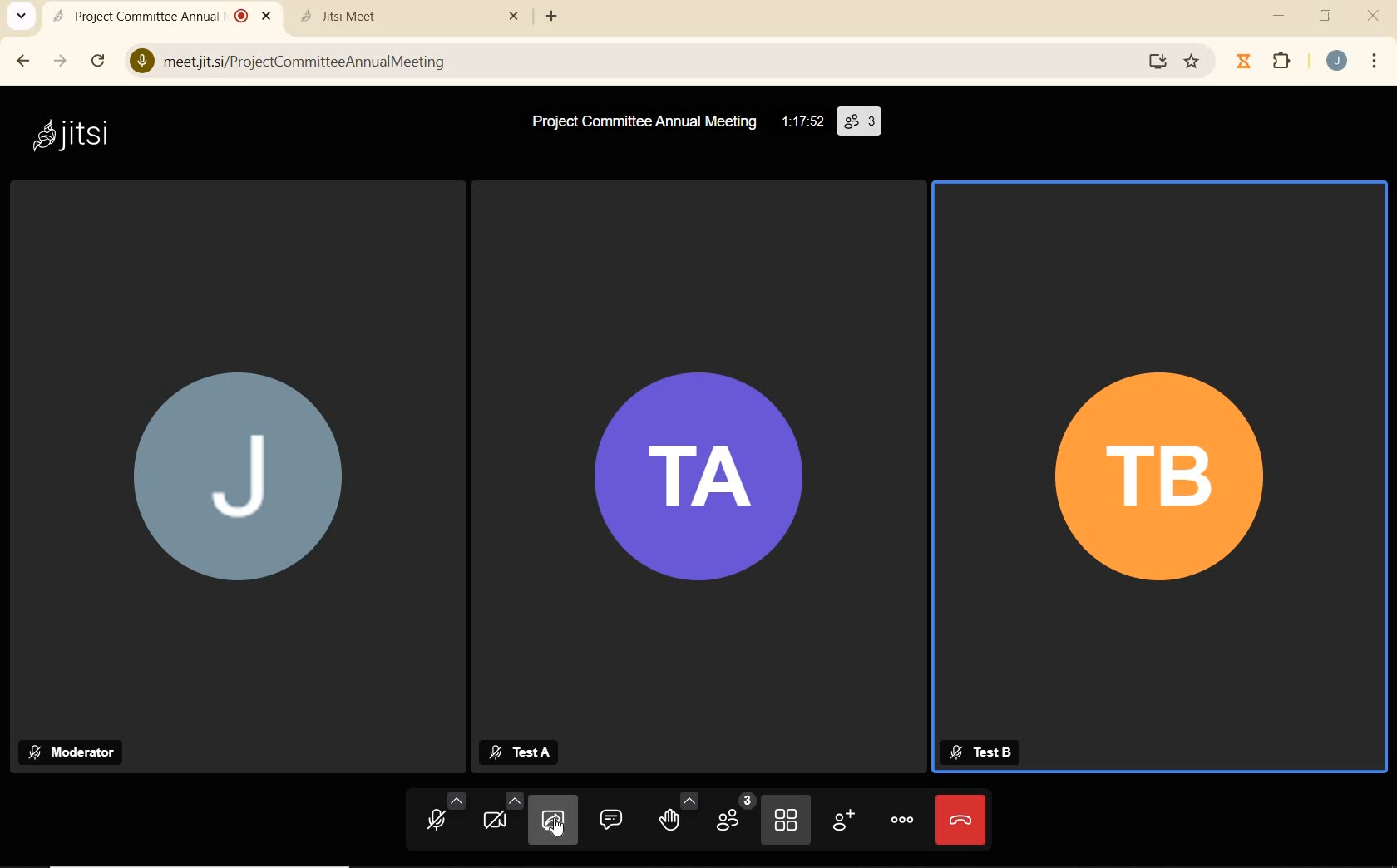 The width and height of the screenshot is (1397, 868). Describe the element at coordinates (297, 59) in the screenshot. I see `meetjitsi/ProjectCommitteeAnnualMeeting` at that location.